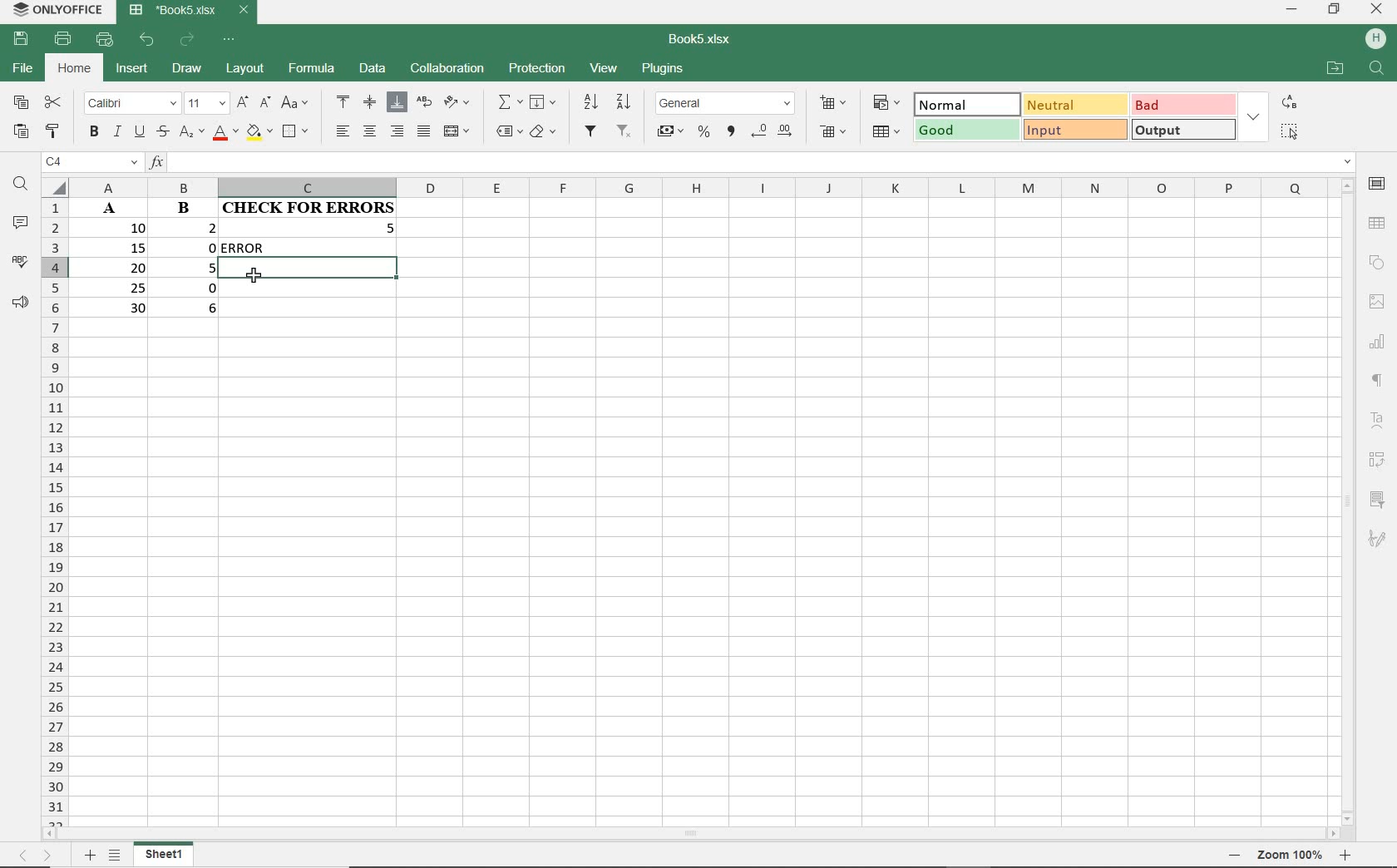  I want to click on CLEAR, so click(545, 131).